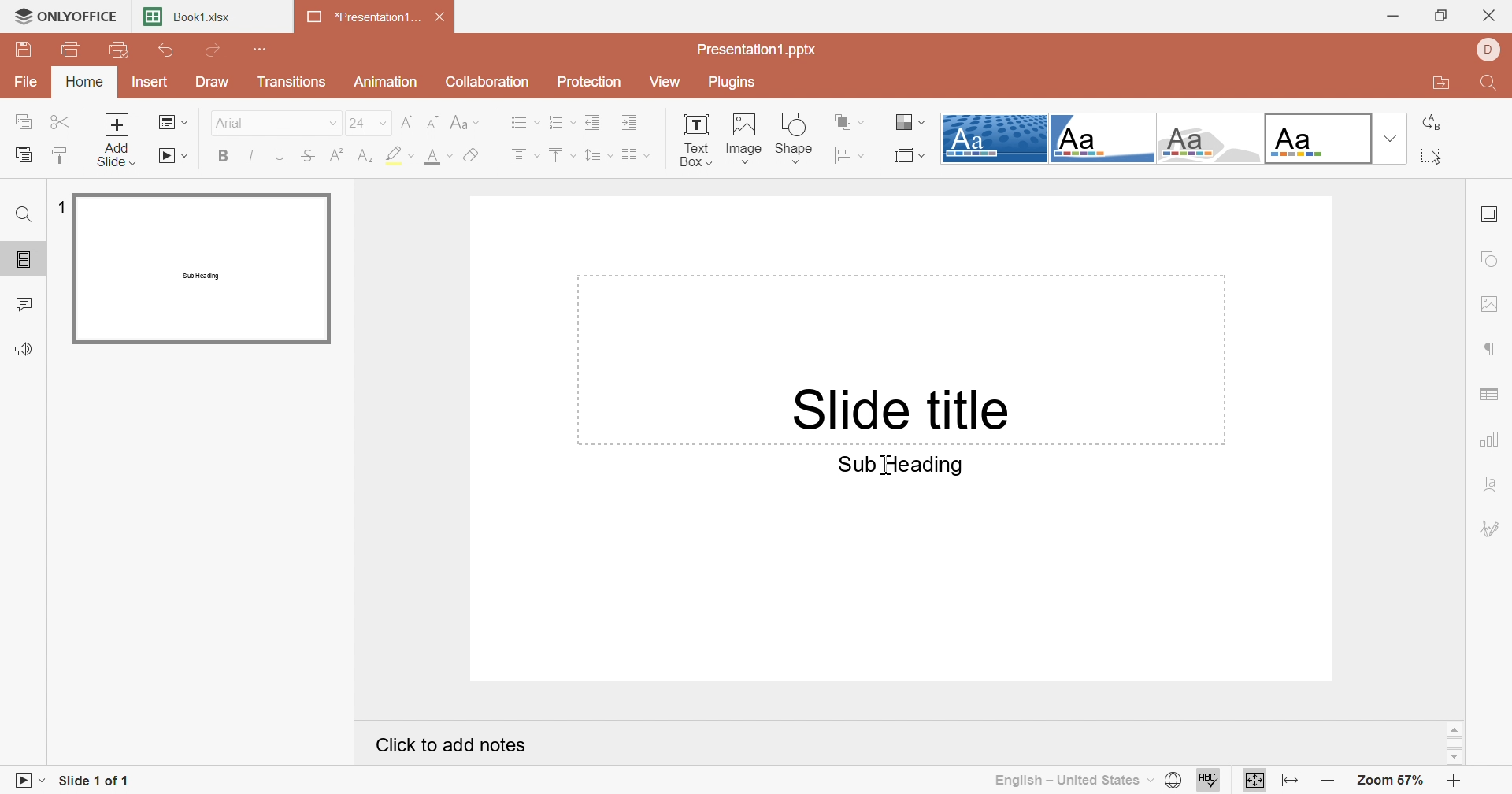 The image size is (1512, 794). What do you see at coordinates (84, 81) in the screenshot?
I see `Home` at bounding box center [84, 81].